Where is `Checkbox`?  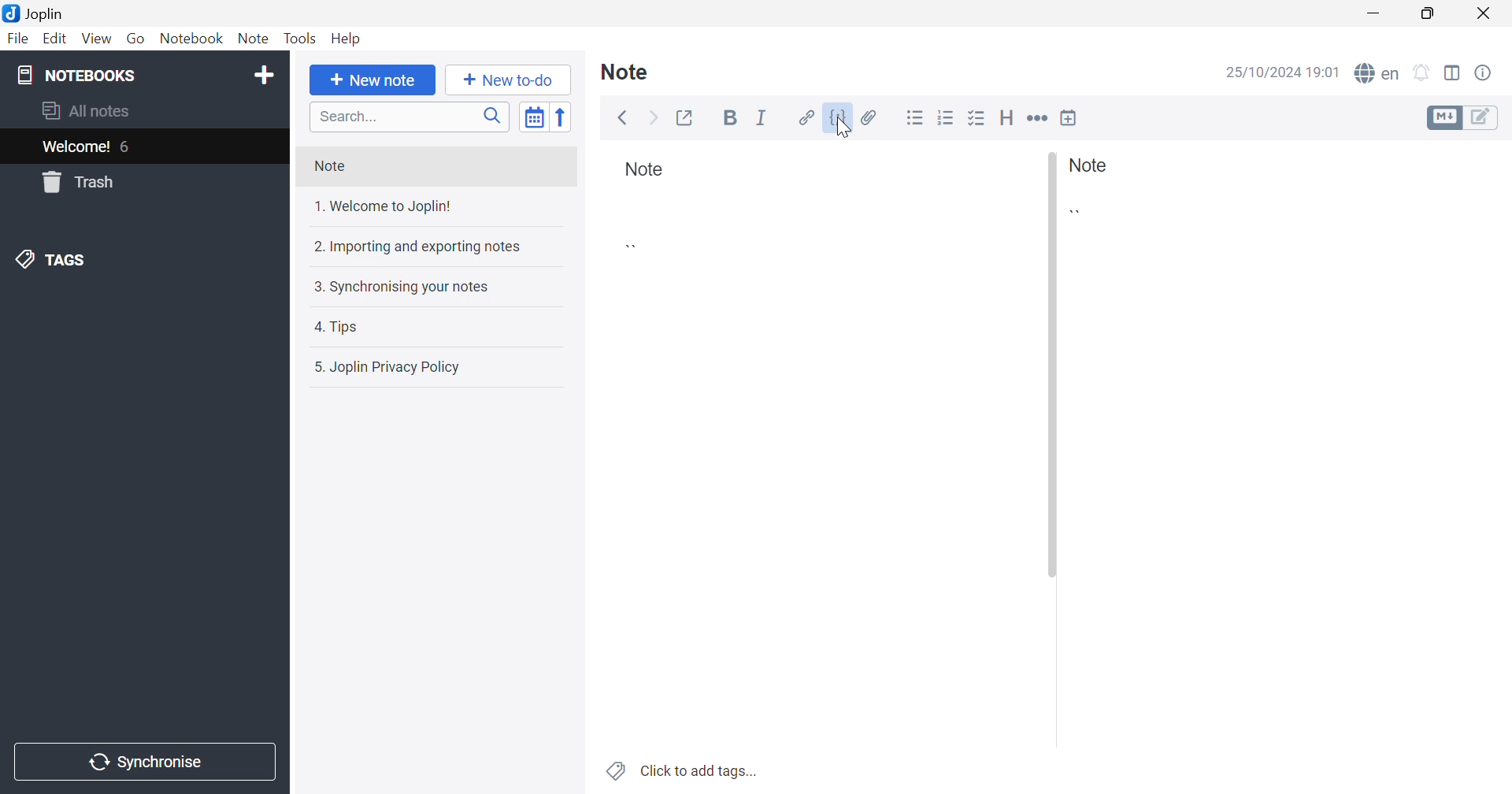 Checkbox is located at coordinates (976, 118).